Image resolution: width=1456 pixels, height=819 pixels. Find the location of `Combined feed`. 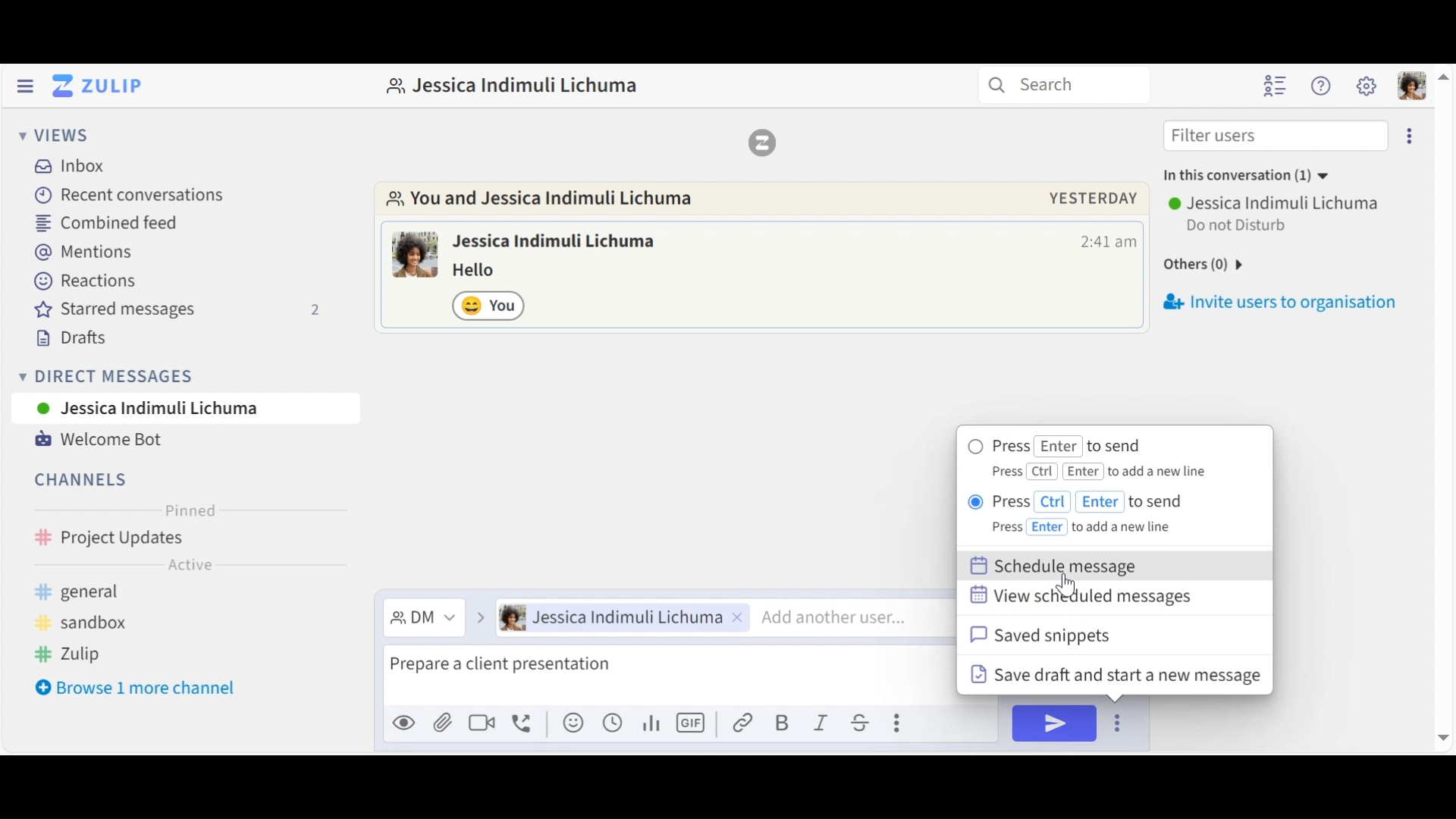

Combined feed is located at coordinates (110, 222).